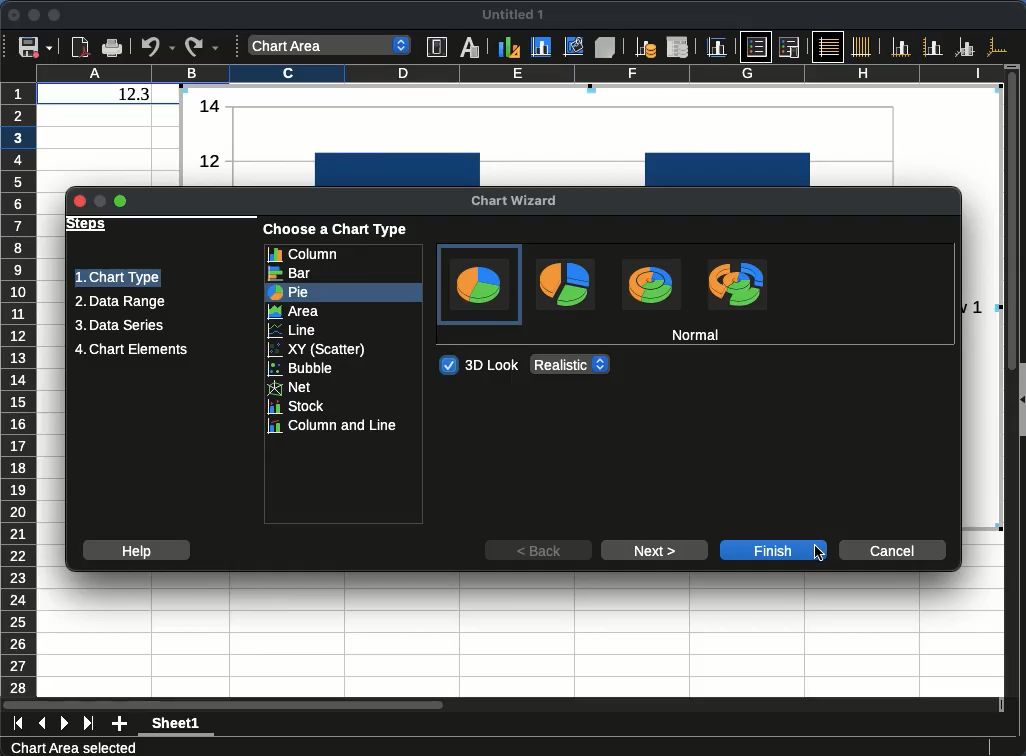 This screenshot has width=1026, height=756. Describe the element at coordinates (997, 46) in the screenshot. I see `All axes` at that location.